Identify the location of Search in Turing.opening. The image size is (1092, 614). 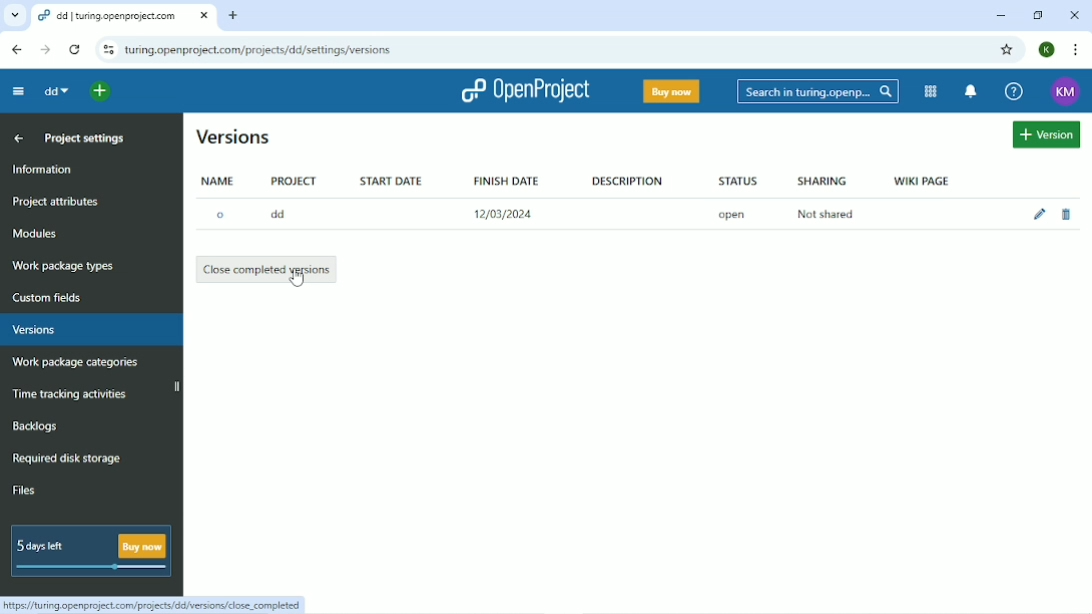
(818, 92).